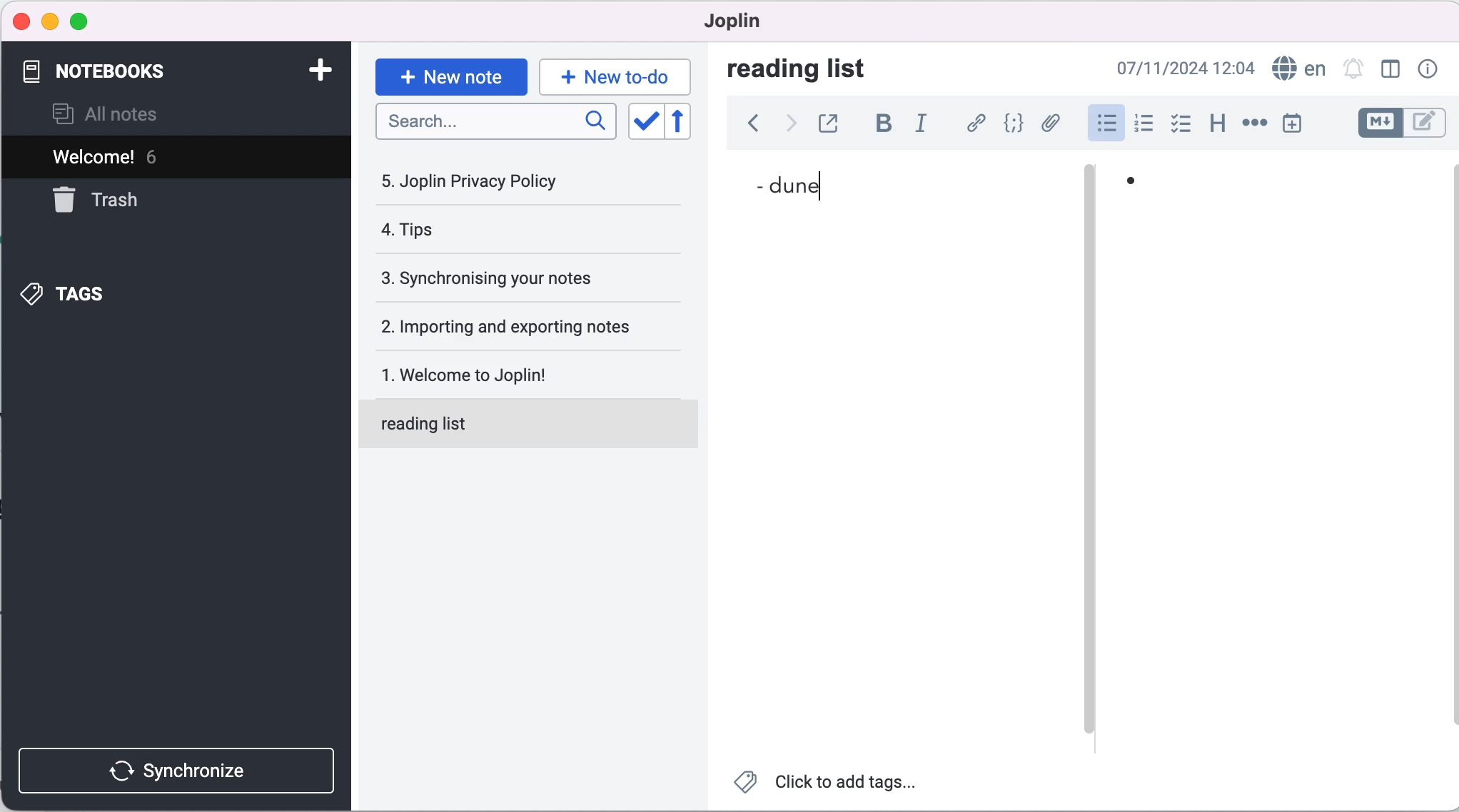 This screenshot has width=1459, height=812. What do you see at coordinates (22, 19) in the screenshot?
I see `close` at bounding box center [22, 19].